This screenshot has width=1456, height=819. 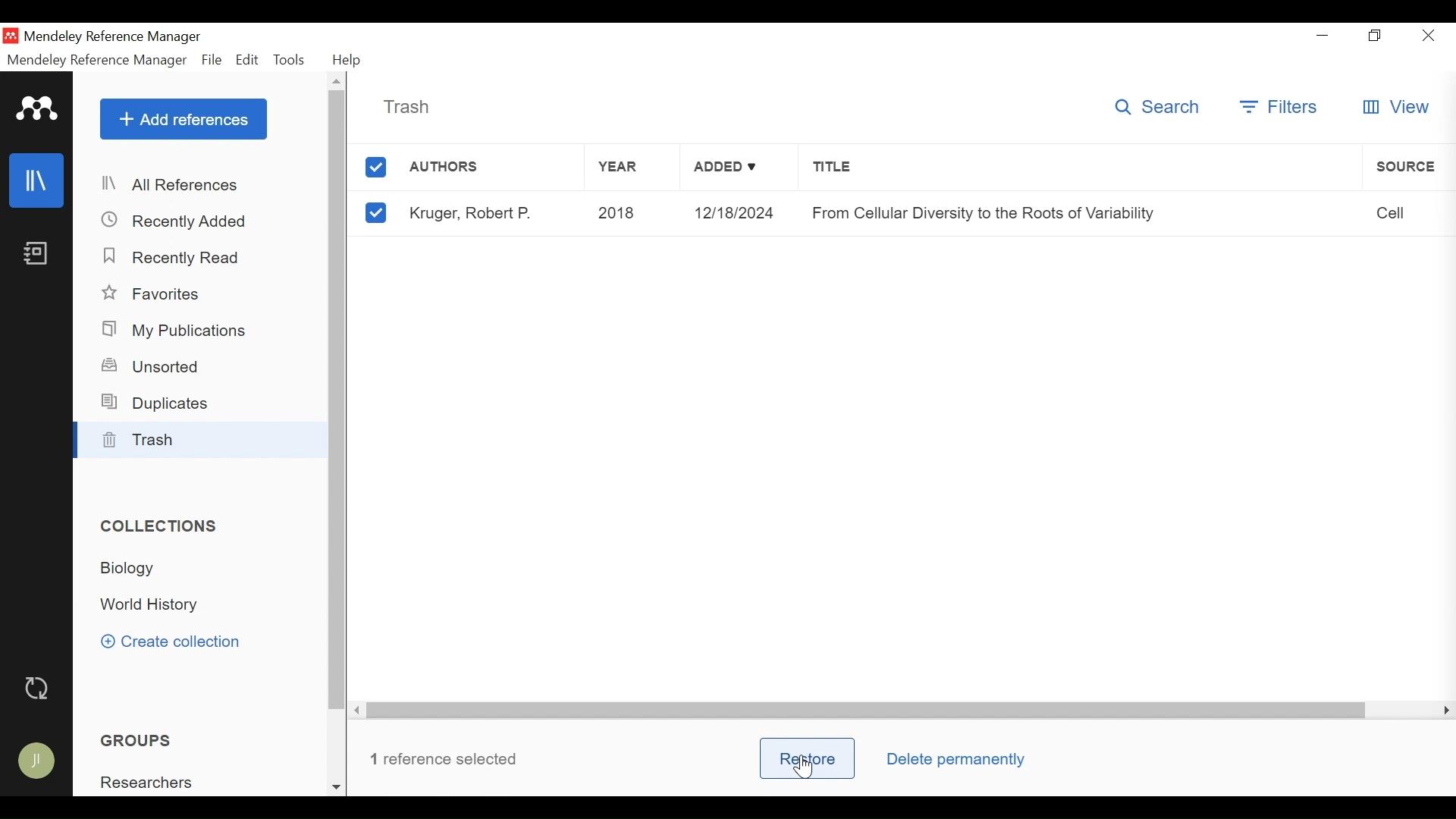 I want to click on Mendeley Logo, so click(x=36, y=108).